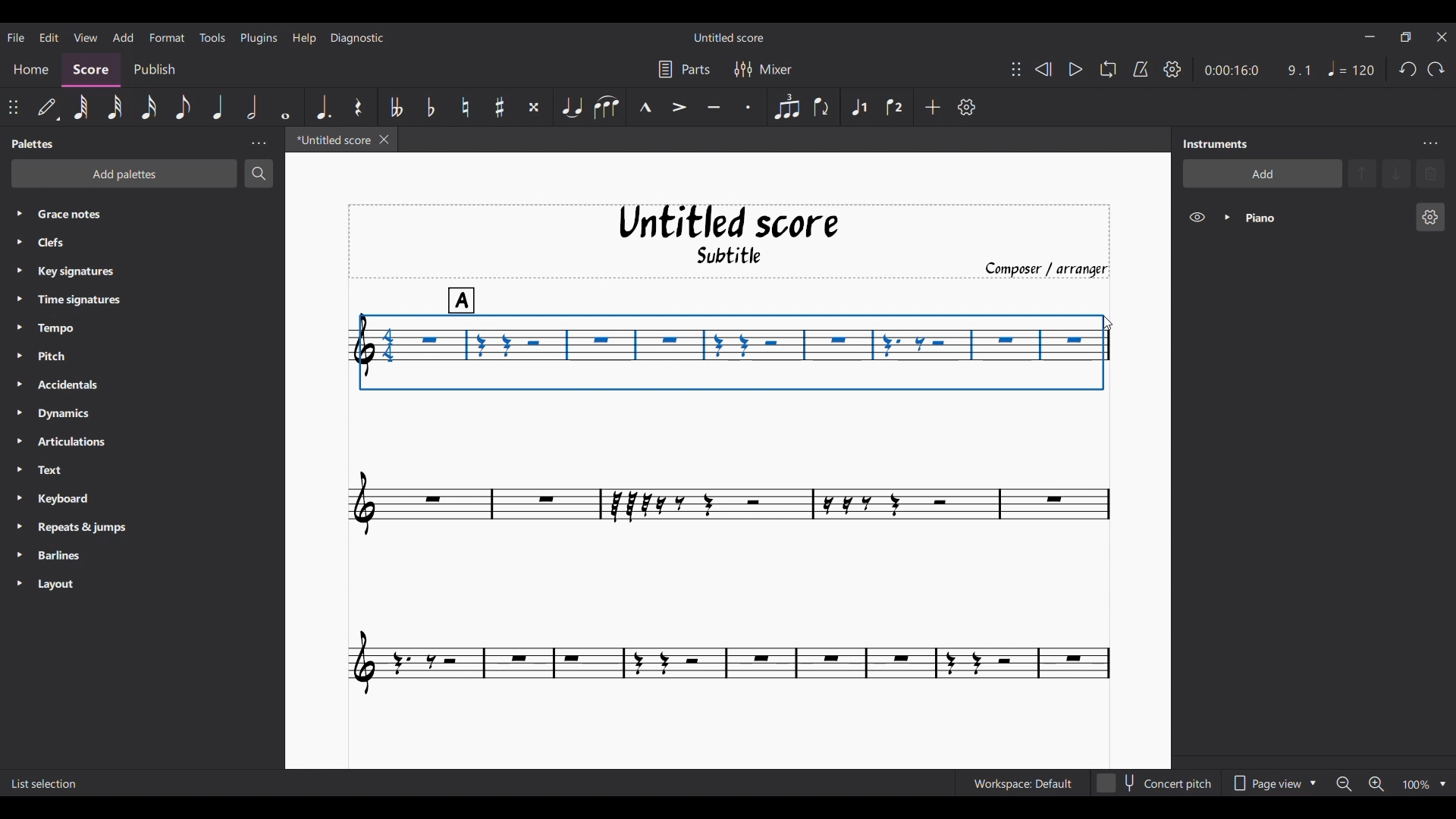  I want to click on Instrument settings, so click(1429, 144).